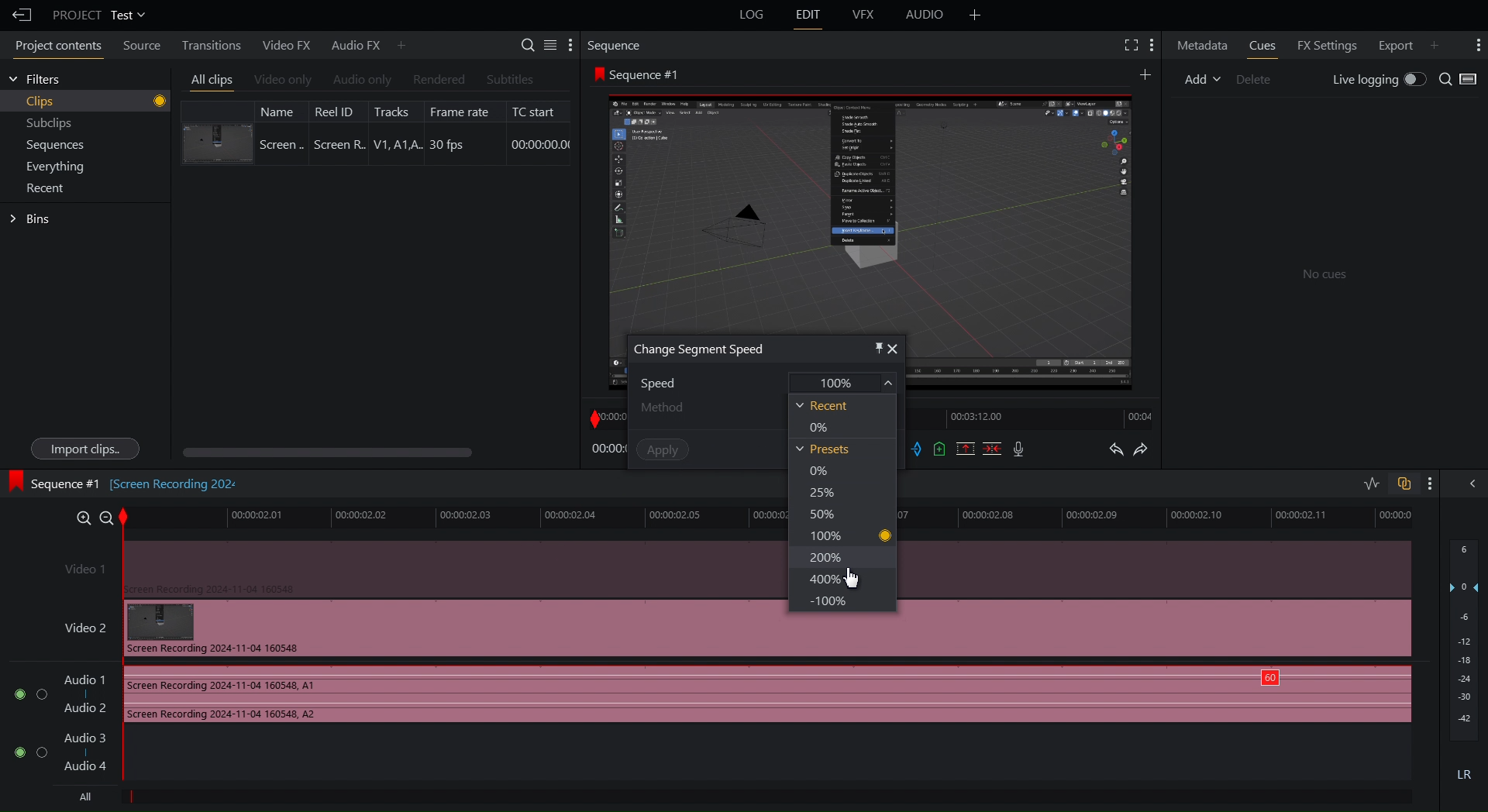 The width and height of the screenshot is (1488, 812). What do you see at coordinates (847, 535) in the screenshot?
I see `100%` at bounding box center [847, 535].